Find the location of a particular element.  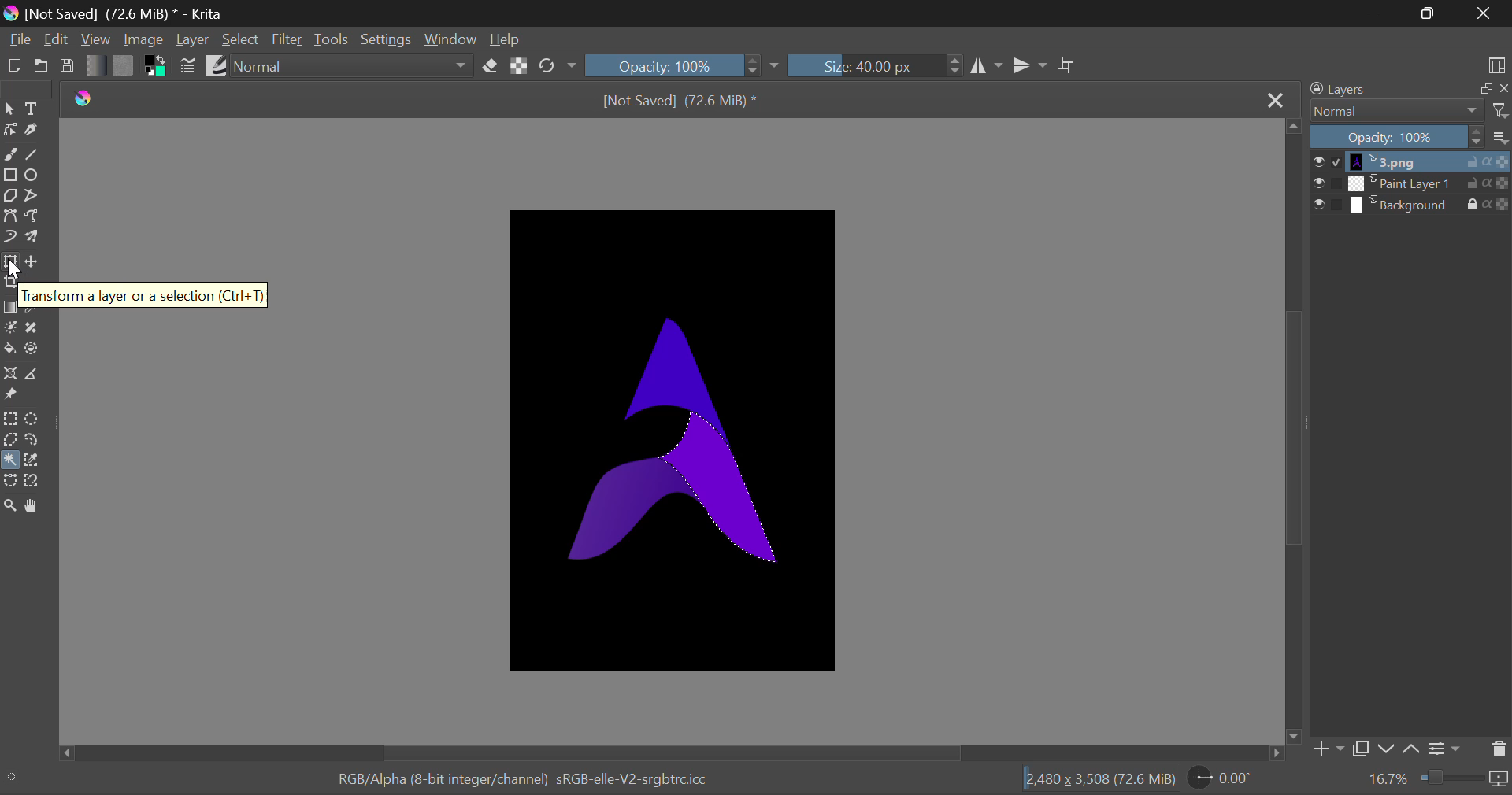

Bezier Curve Selection is located at coordinates (10, 480).